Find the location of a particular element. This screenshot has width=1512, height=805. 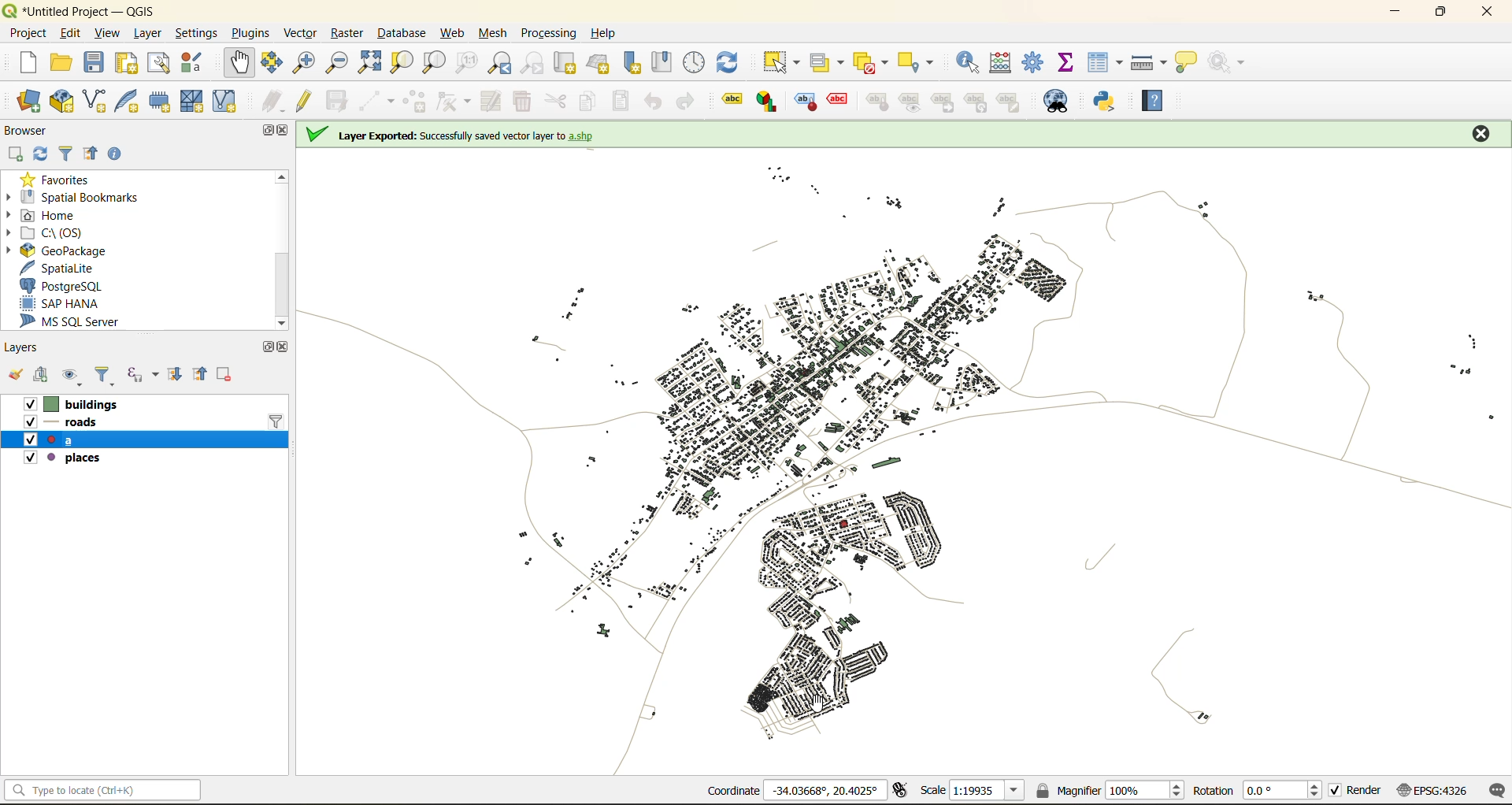

show layout is located at coordinates (161, 63).